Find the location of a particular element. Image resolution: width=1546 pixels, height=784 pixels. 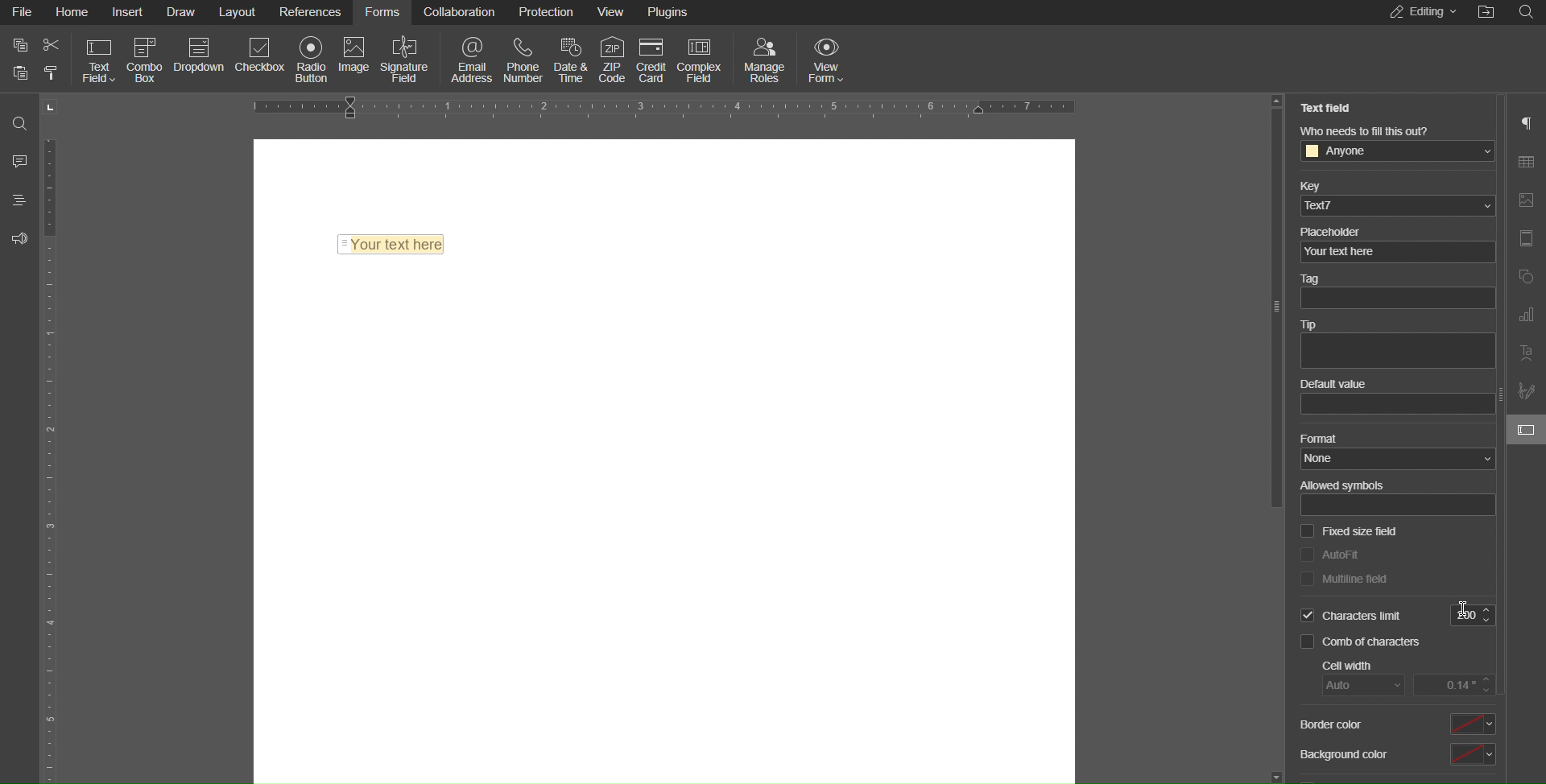

paste is located at coordinates (51, 74).